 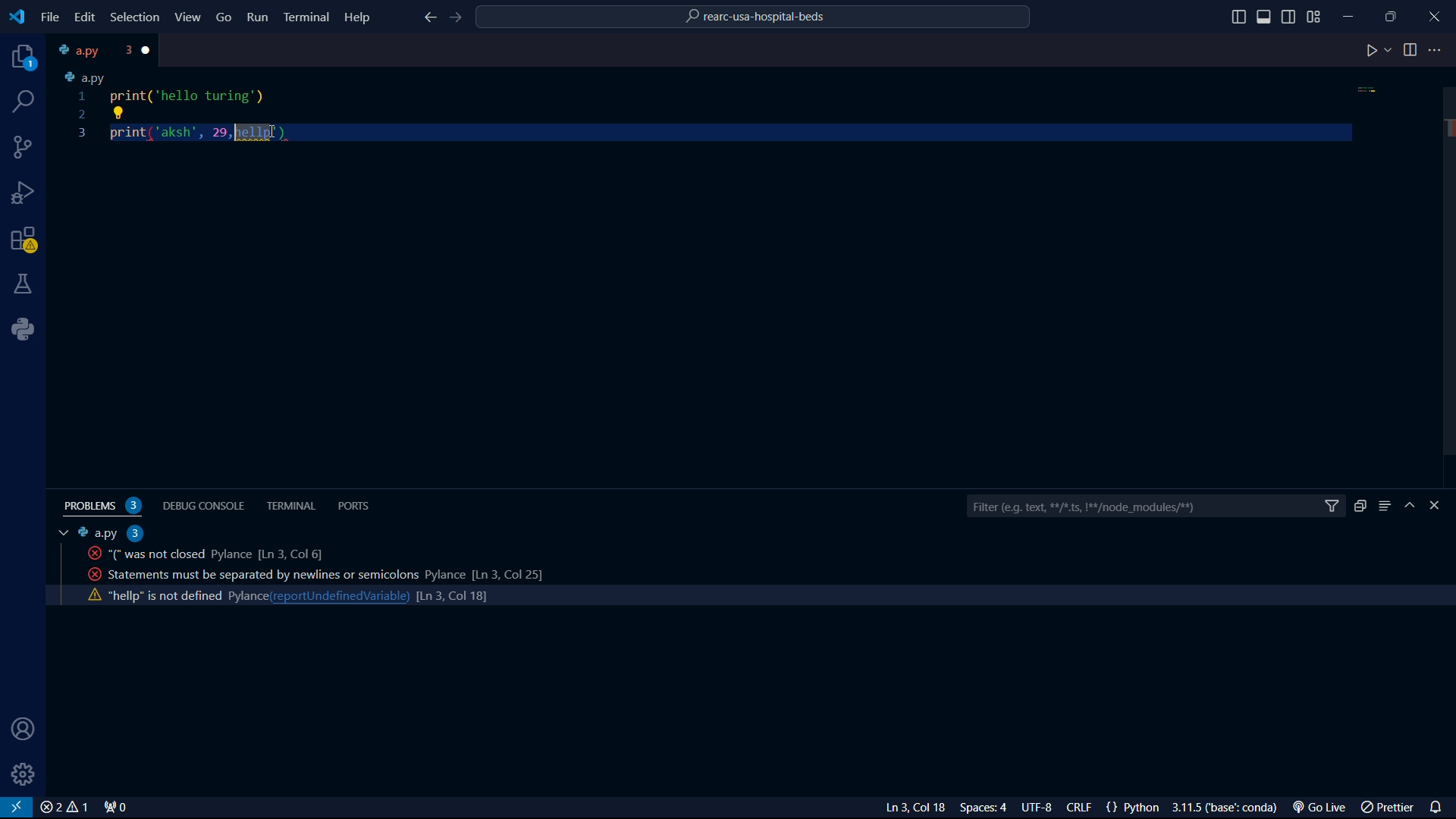 What do you see at coordinates (897, 808) in the screenshot?
I see `Ln 3 Col 23` at bounding box center [897, 808].